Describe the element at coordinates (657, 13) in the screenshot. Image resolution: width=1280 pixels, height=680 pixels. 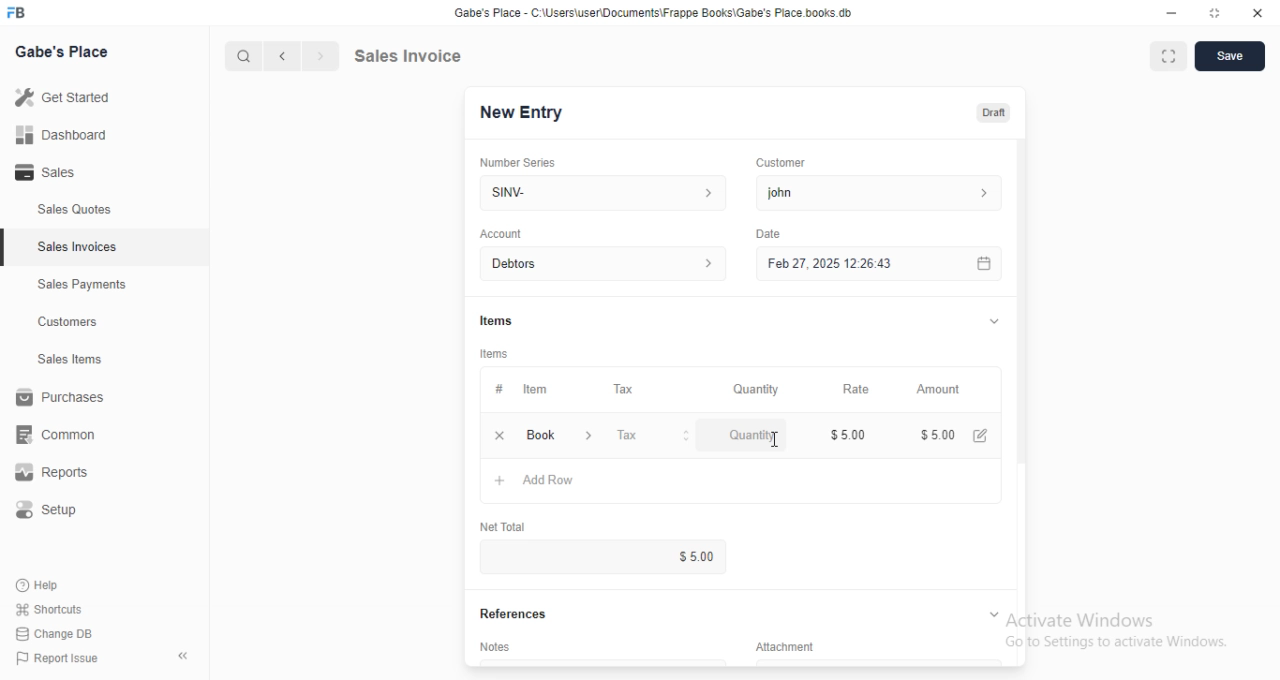
I see `Gabe's Place - C'\Users\userDocuments\Frappe Books\Gabe's Place books db` at that location.